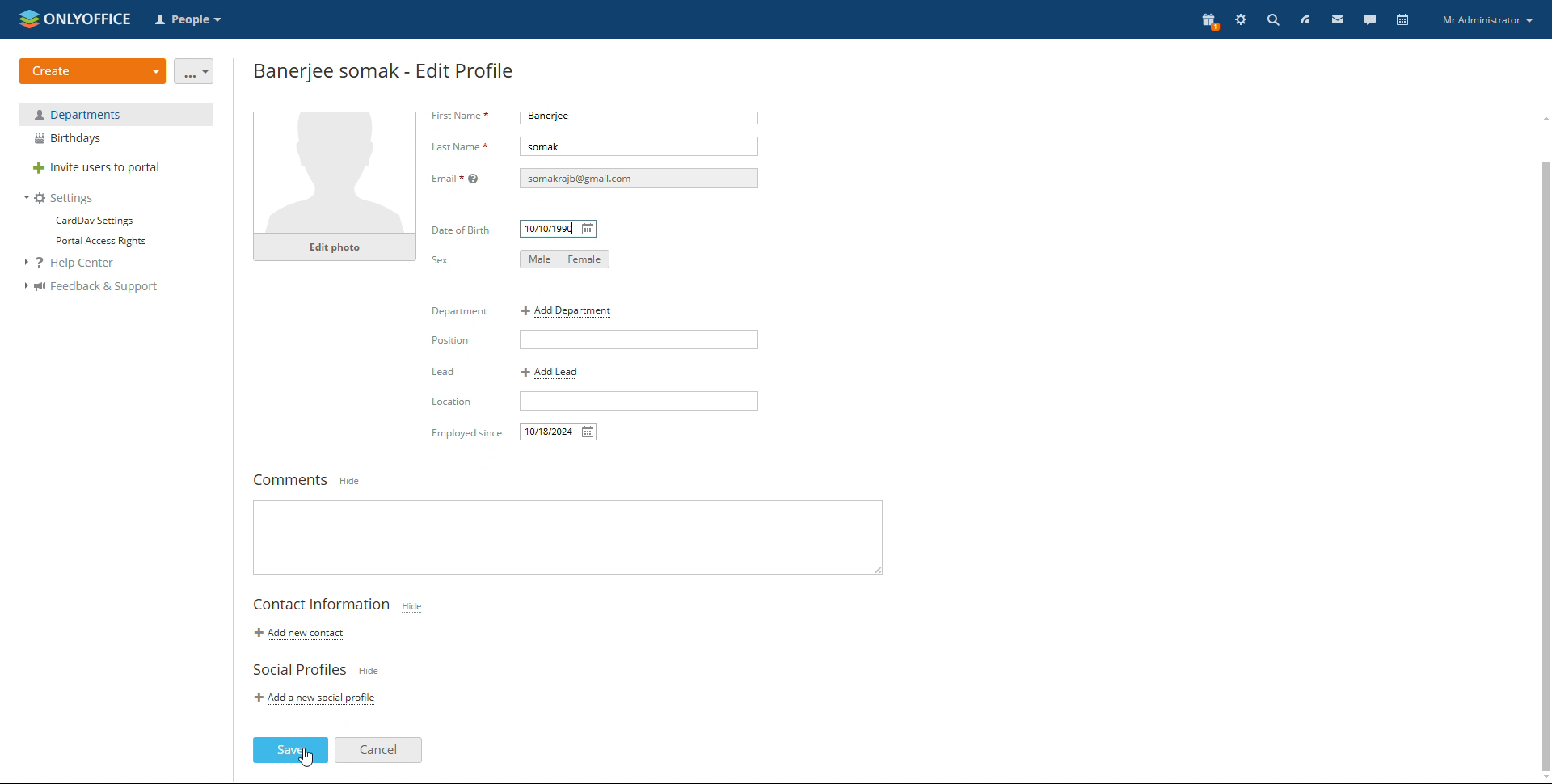 Image resolution: width=1552 pixels, height=784 pixels. I want to click on more actions, so click(195, 71).